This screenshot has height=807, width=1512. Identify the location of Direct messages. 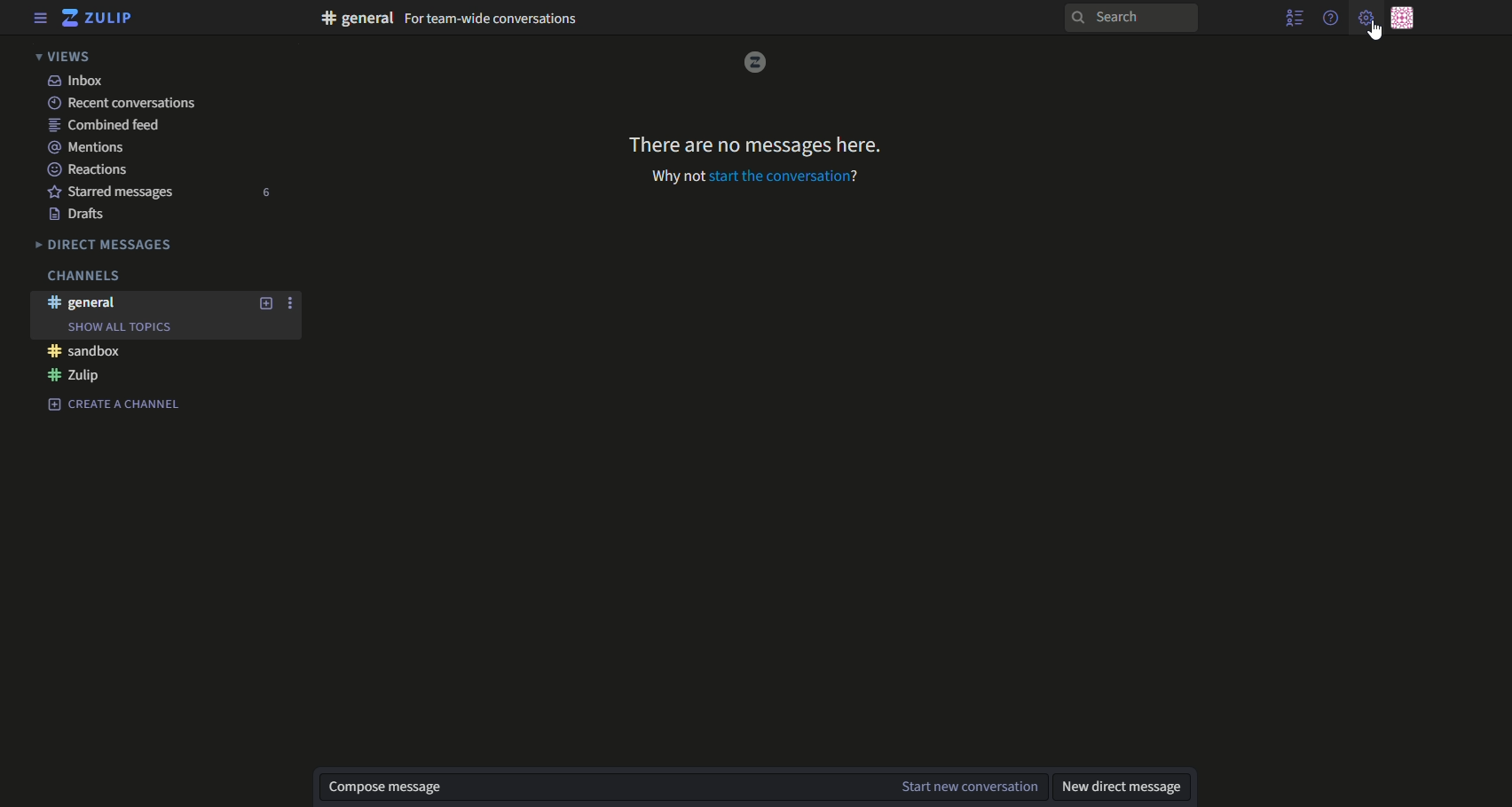
(106, 245).